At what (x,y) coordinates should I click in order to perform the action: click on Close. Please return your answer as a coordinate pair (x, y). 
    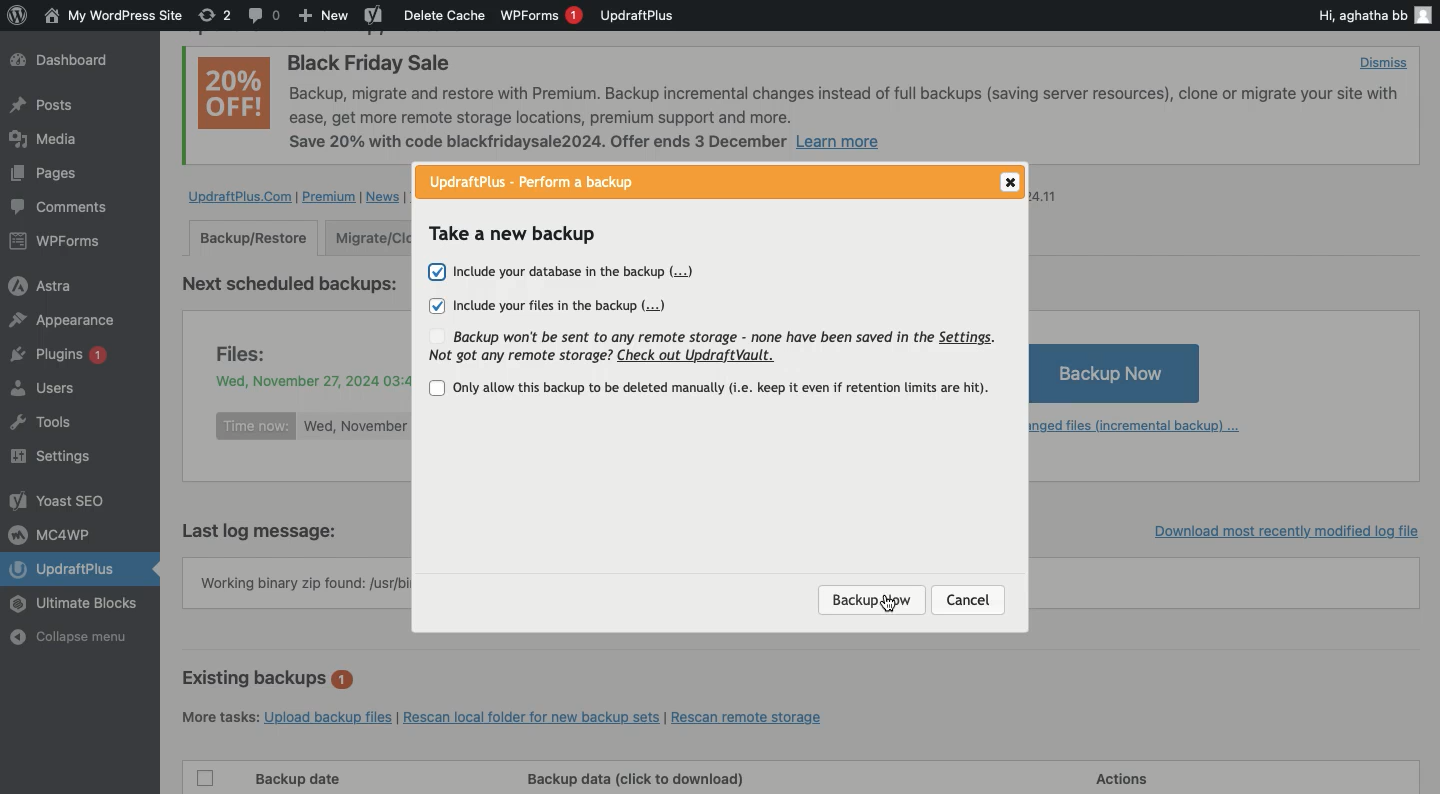
    Looking at the image, I should click on (1012, 180).